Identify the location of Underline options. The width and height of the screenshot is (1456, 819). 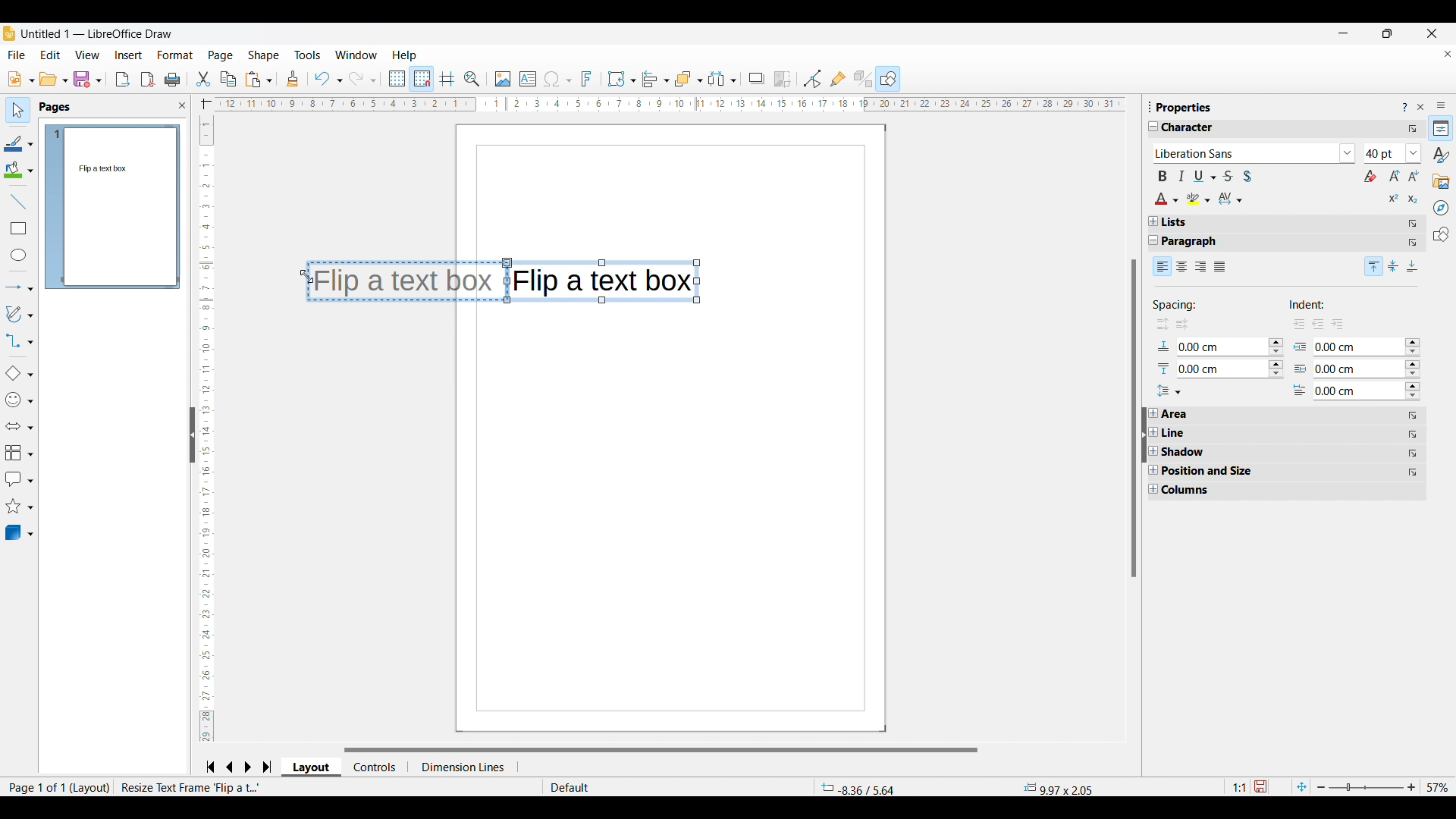
(1205, 176).